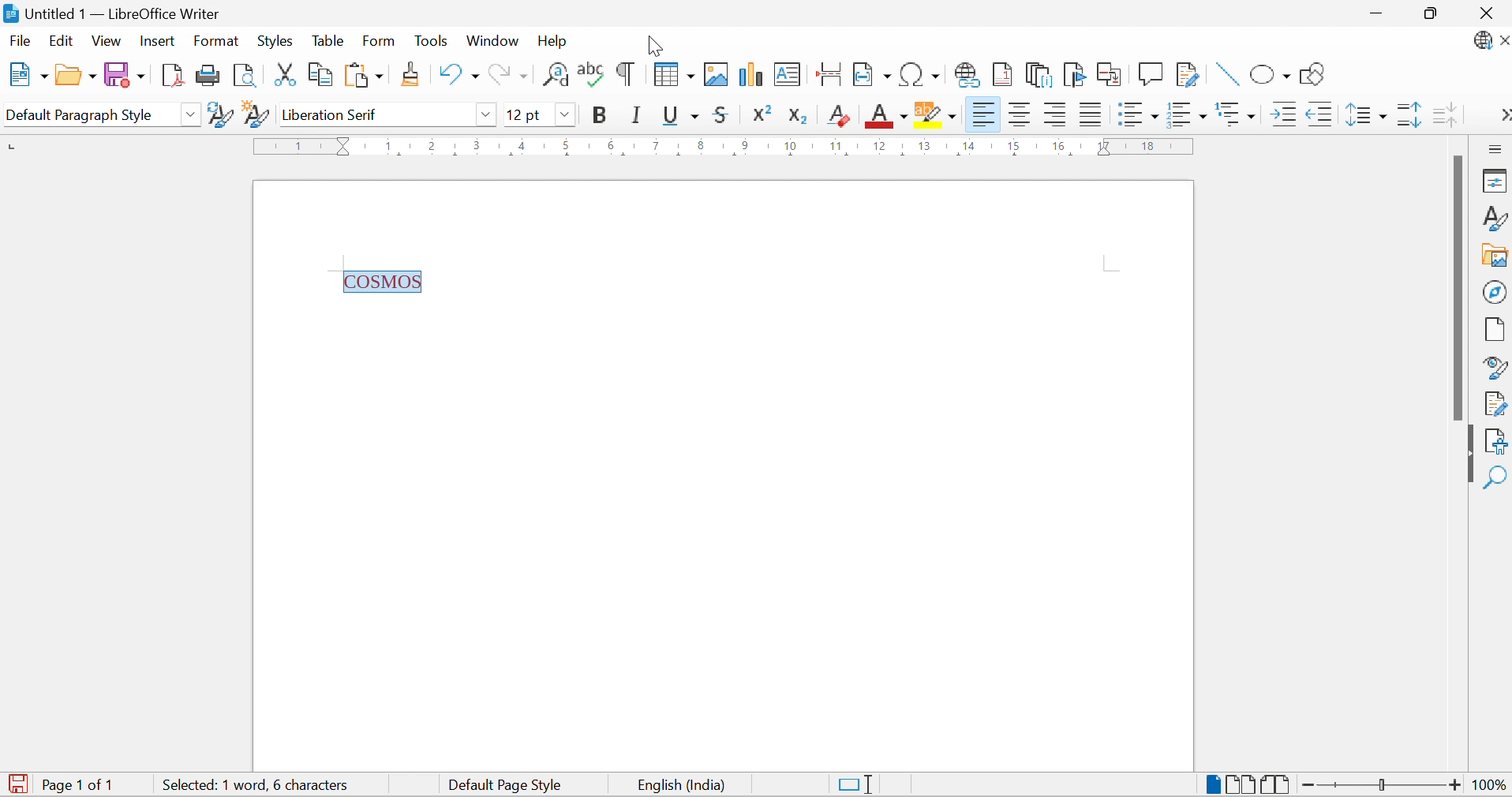 The width and height of the screenshot is (1512, 797). I want to click on Format, so click(217, 42).